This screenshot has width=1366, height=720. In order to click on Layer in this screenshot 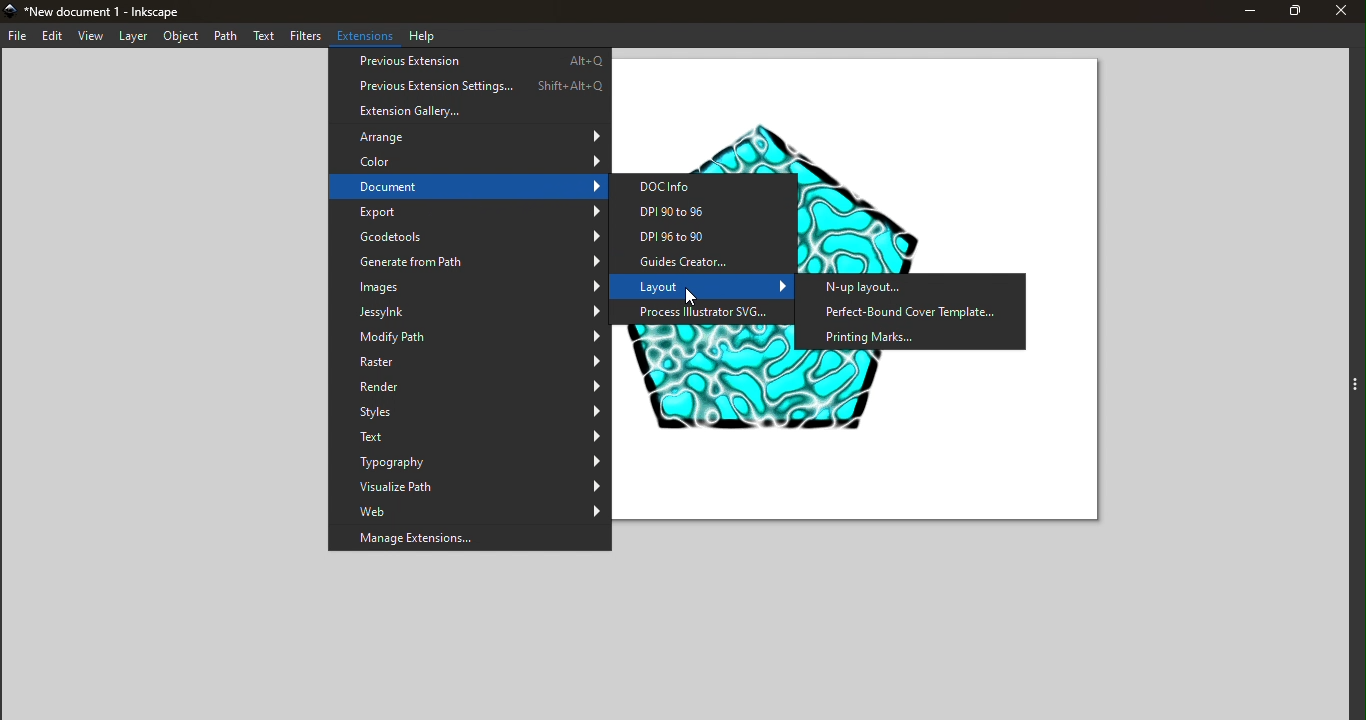, I will do `click(136, 36)`.